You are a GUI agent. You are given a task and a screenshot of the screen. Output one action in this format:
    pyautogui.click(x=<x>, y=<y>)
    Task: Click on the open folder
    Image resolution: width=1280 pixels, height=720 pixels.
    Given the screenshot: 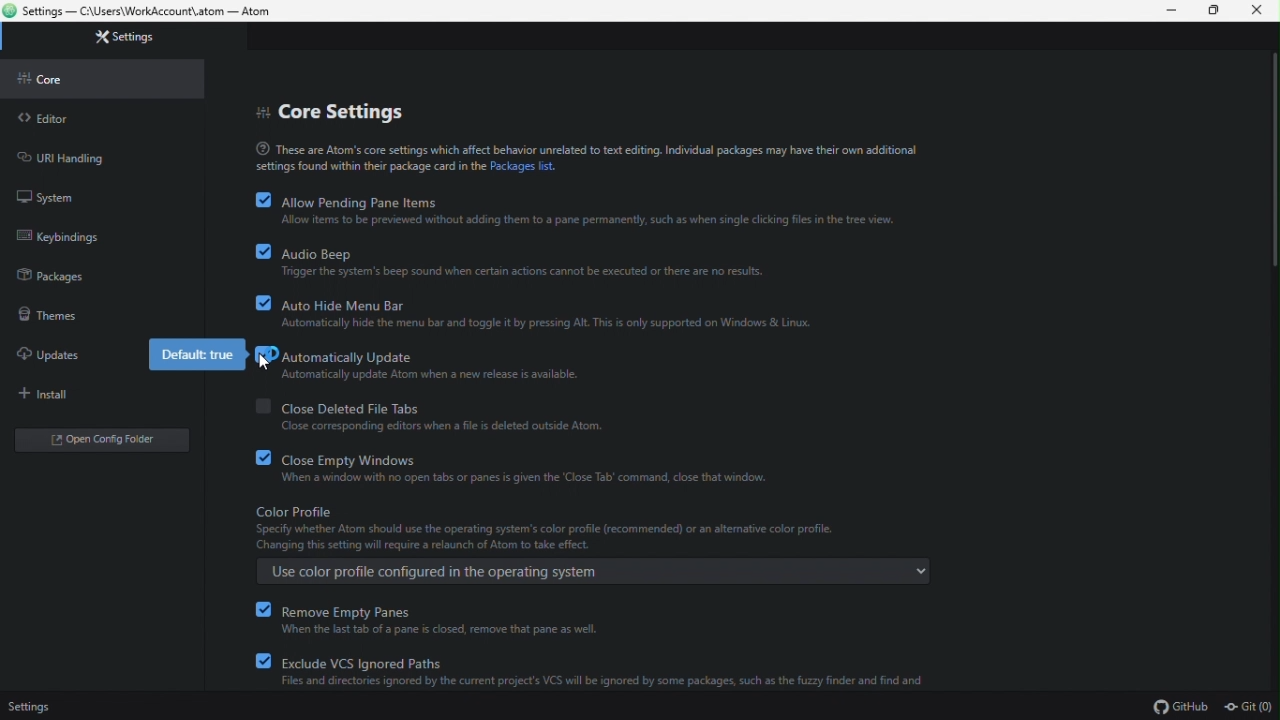 What is the action you would take?
    pyautogui.click(x=88, y=438)
    